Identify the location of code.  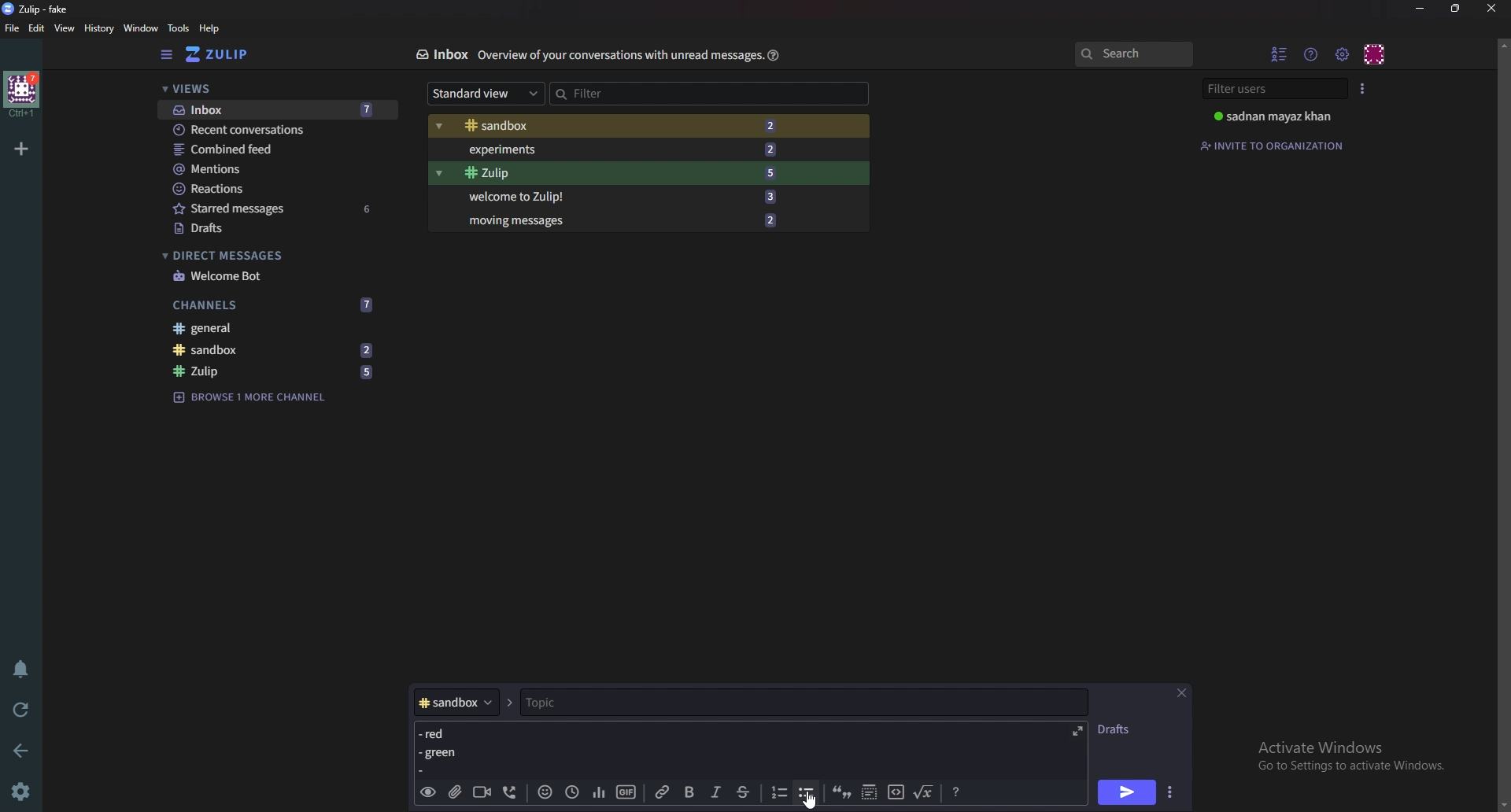
(896, 791).